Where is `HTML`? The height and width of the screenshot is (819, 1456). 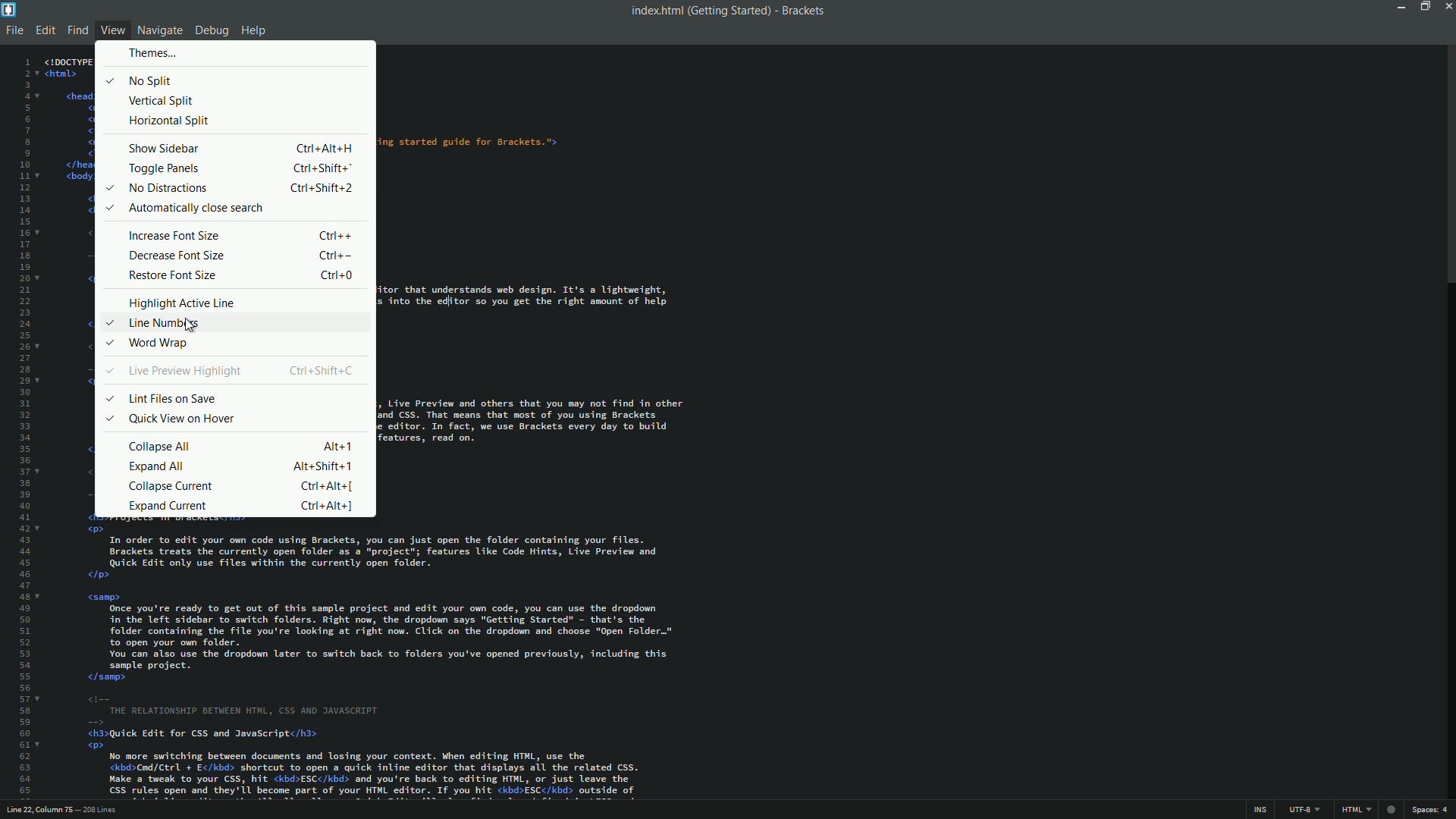
HTML is located at coordinates (1356, 809).